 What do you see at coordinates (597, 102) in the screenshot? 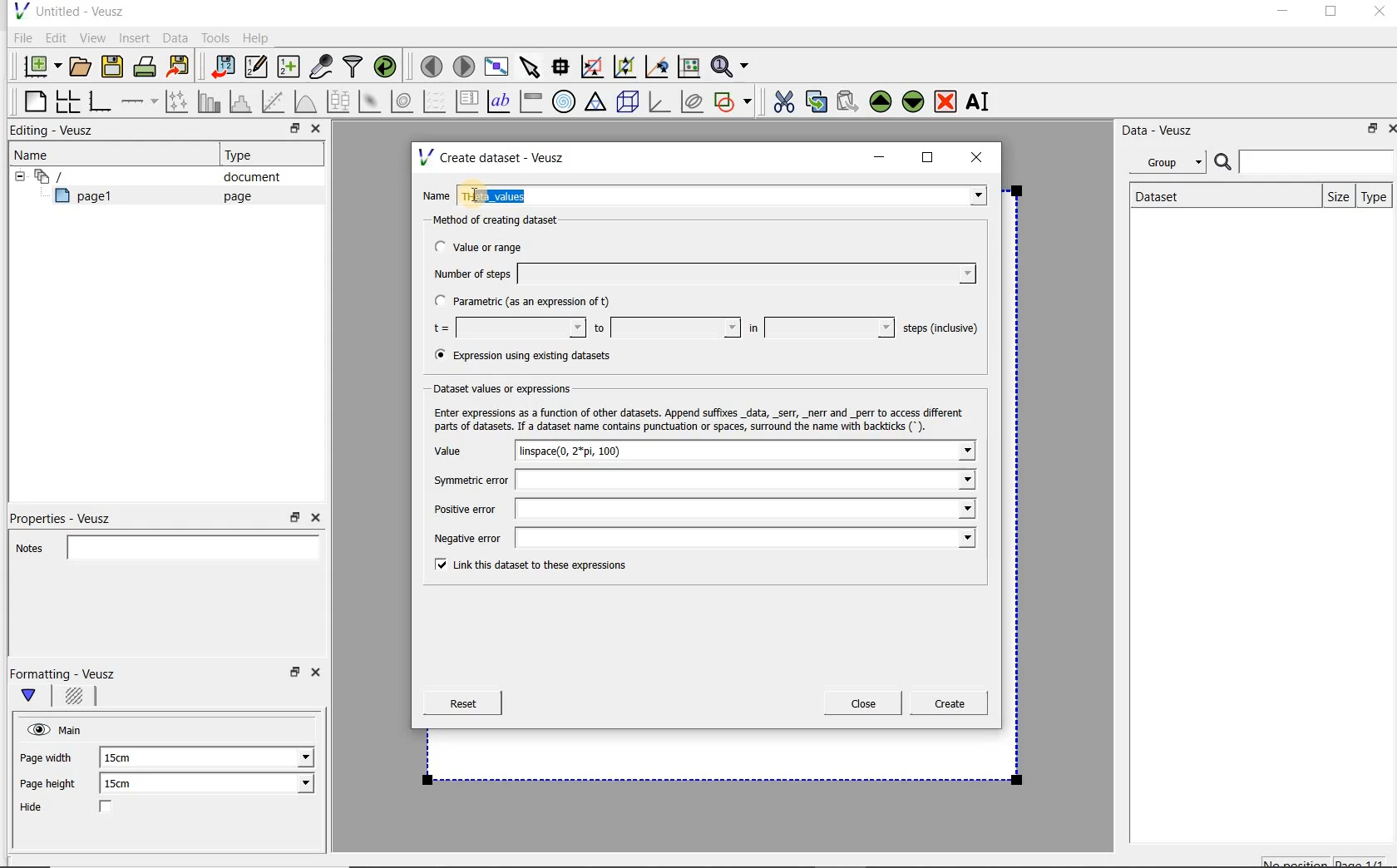
I see `ternary graph` at bounding box center [597, 102].